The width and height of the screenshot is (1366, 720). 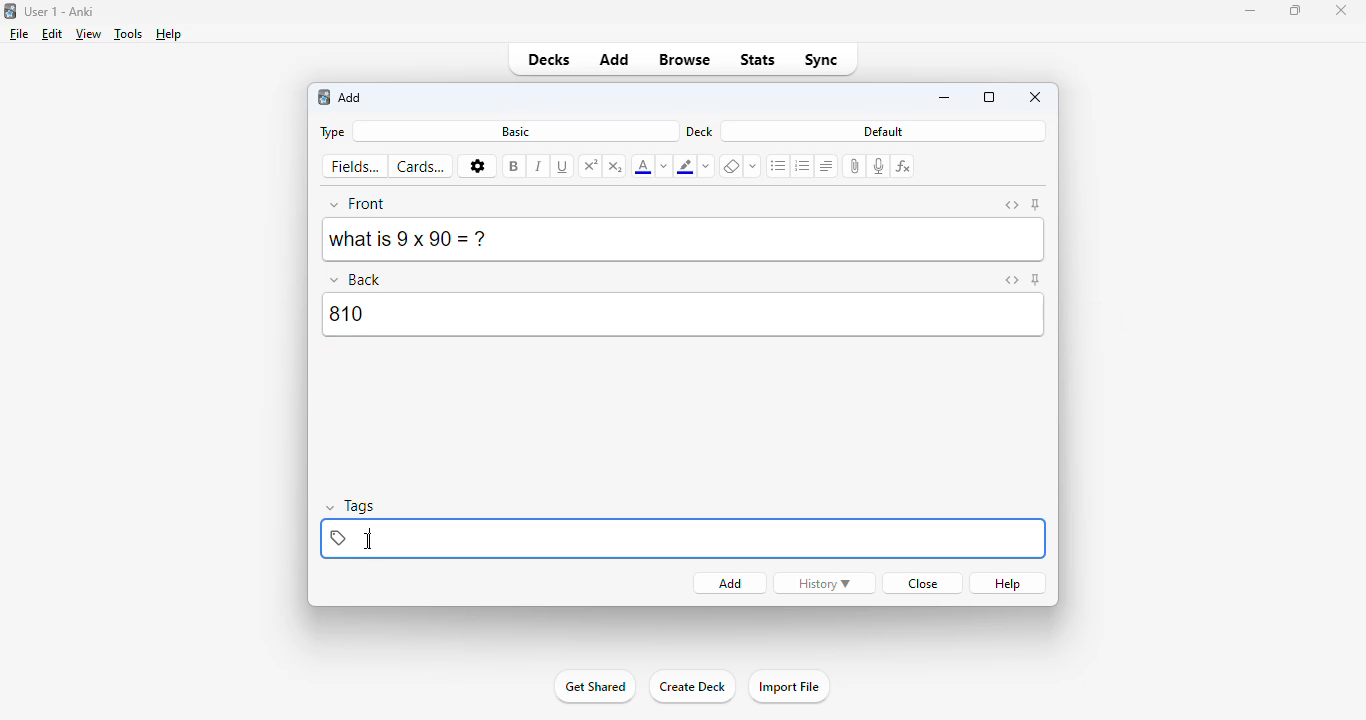 I want to click on front, so click(x=359, y=204).